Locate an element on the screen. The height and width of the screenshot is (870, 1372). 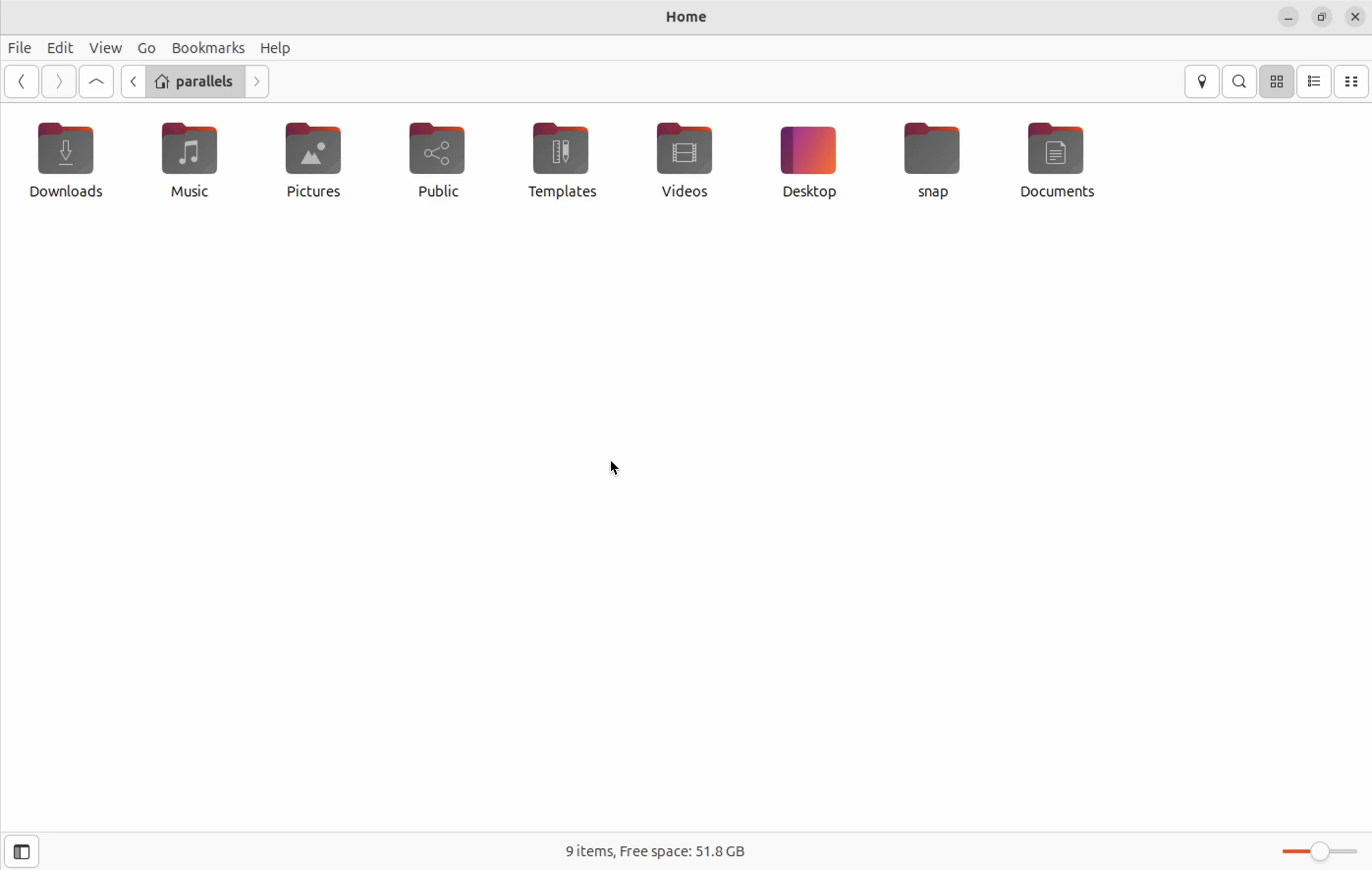
music is located at coordinates (191, 158).